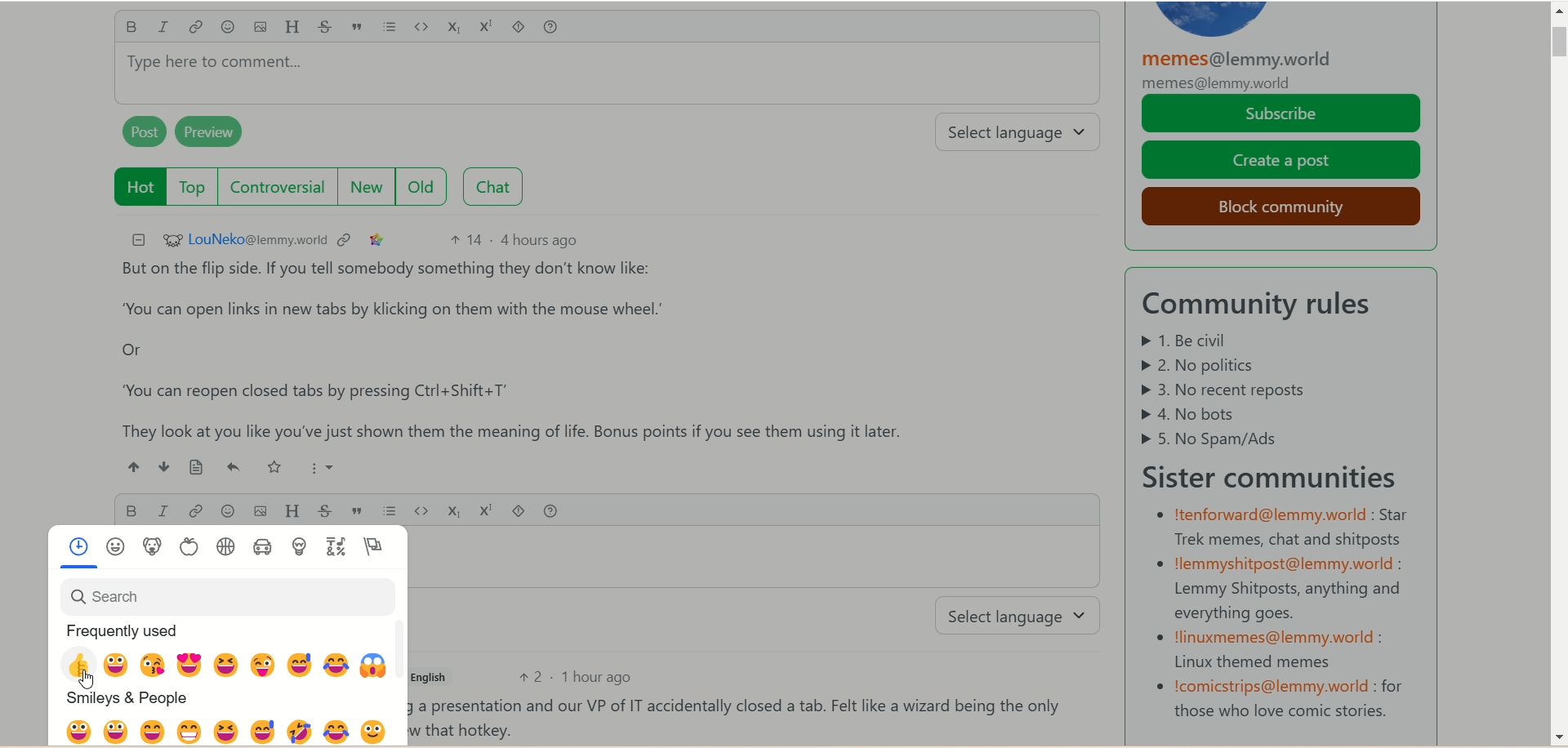 This screenshot has height=748, width=1568. Describe the element at coordinates (521, 29) in the screenshot. I see `spoiler` at that location.